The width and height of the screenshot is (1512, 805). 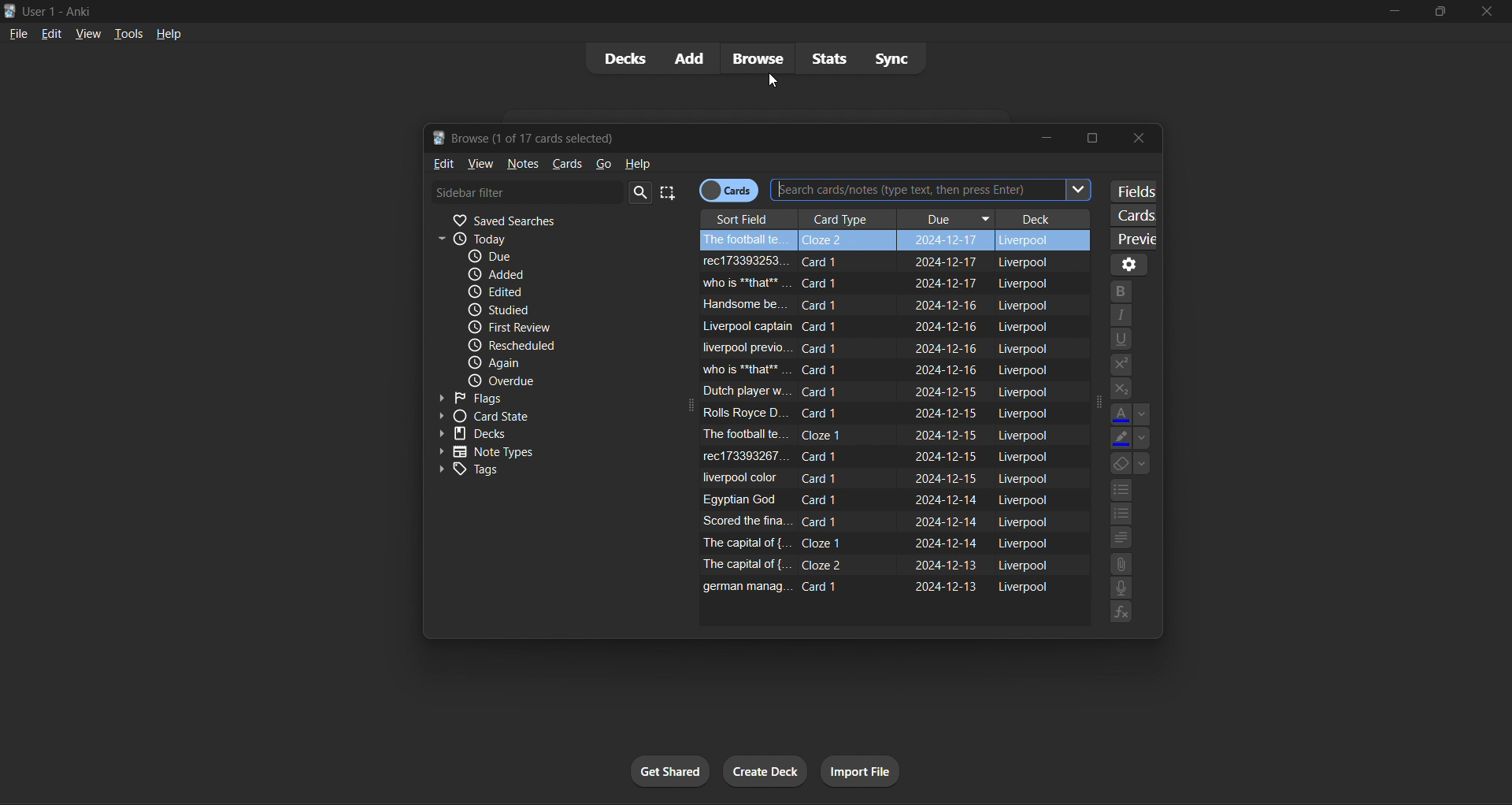 I want to click on due date, so click(x=947, y=584).